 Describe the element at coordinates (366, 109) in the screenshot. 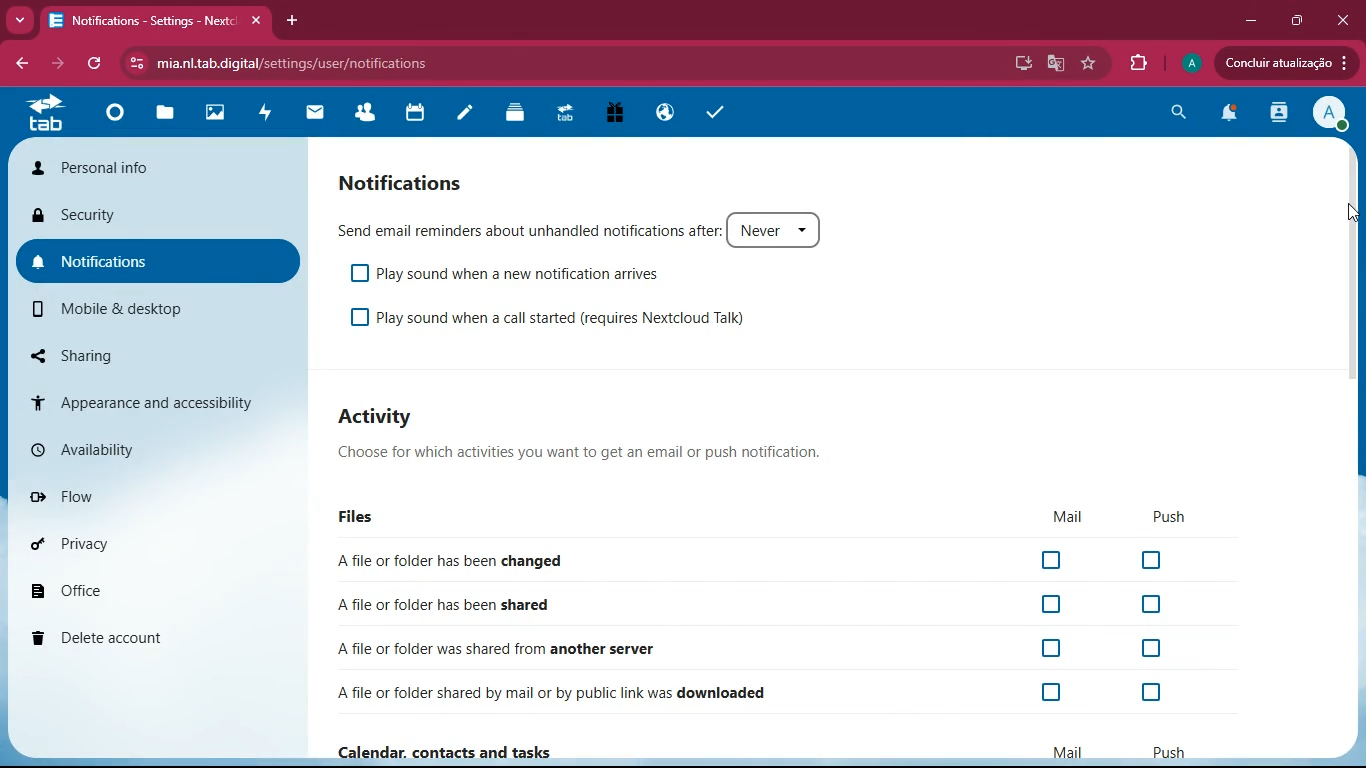

I see `friends` at that location.